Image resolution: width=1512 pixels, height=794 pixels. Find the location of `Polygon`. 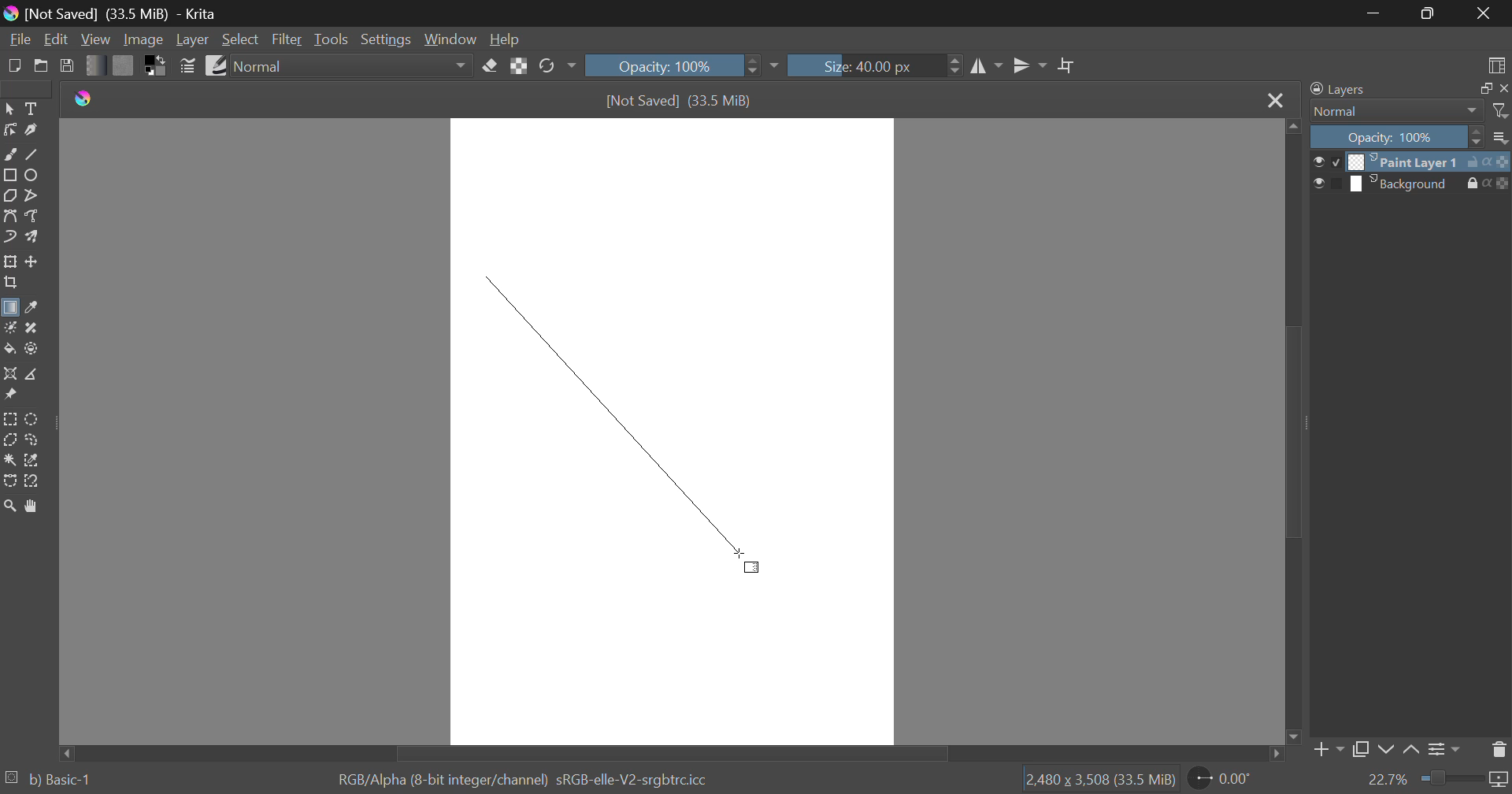

Polygon is located at coordinates (9, 195).